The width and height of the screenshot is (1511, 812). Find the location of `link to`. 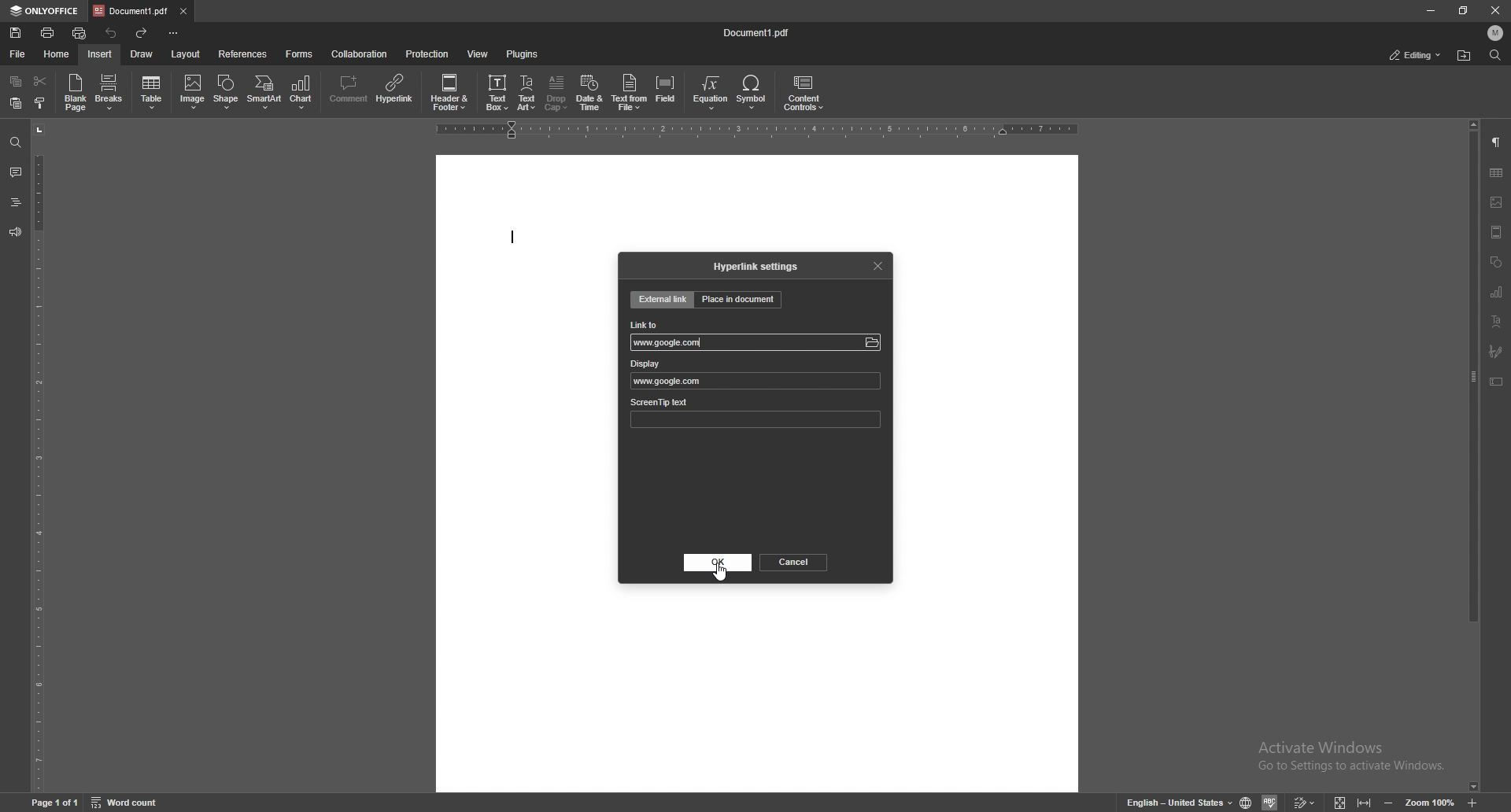

link to is located at coordinates (648, 325).